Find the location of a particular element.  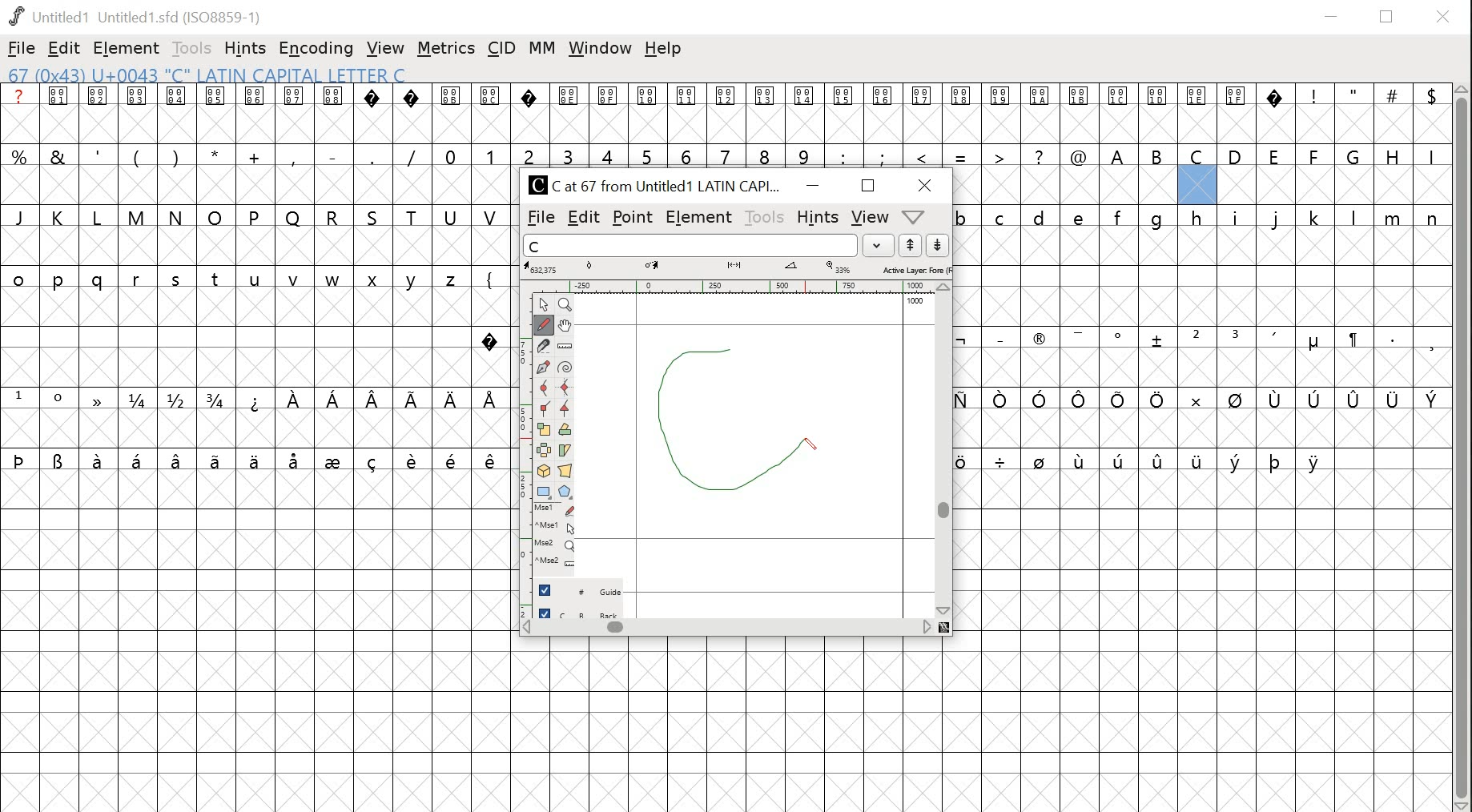

mouse wheel + Ctrl is located at coordinates (557, 564).